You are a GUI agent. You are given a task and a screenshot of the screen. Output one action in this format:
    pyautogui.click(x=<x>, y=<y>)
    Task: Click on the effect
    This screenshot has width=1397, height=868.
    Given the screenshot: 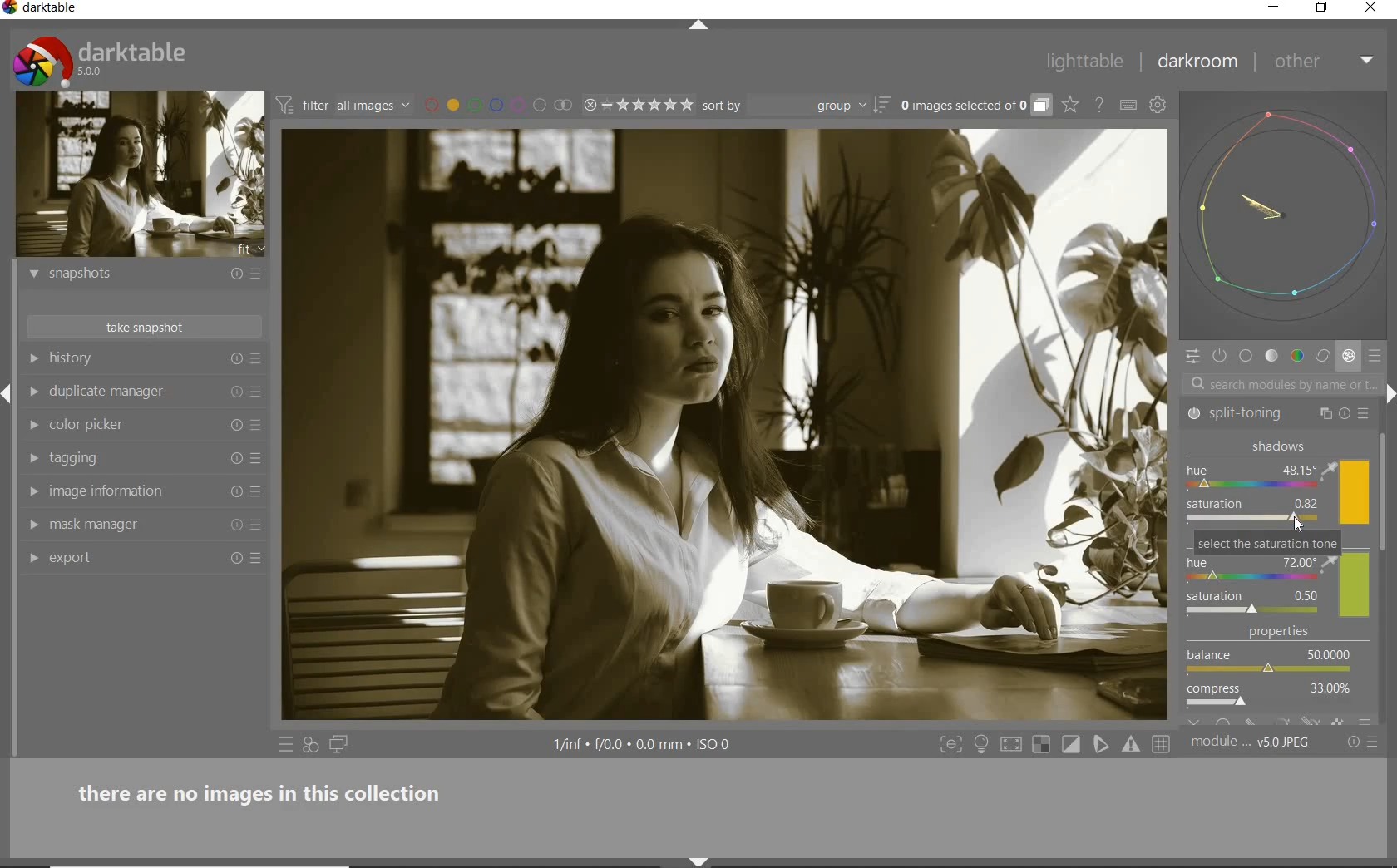 What is the action you would take?
    pyautogui.click(x=1349, y=358)
    